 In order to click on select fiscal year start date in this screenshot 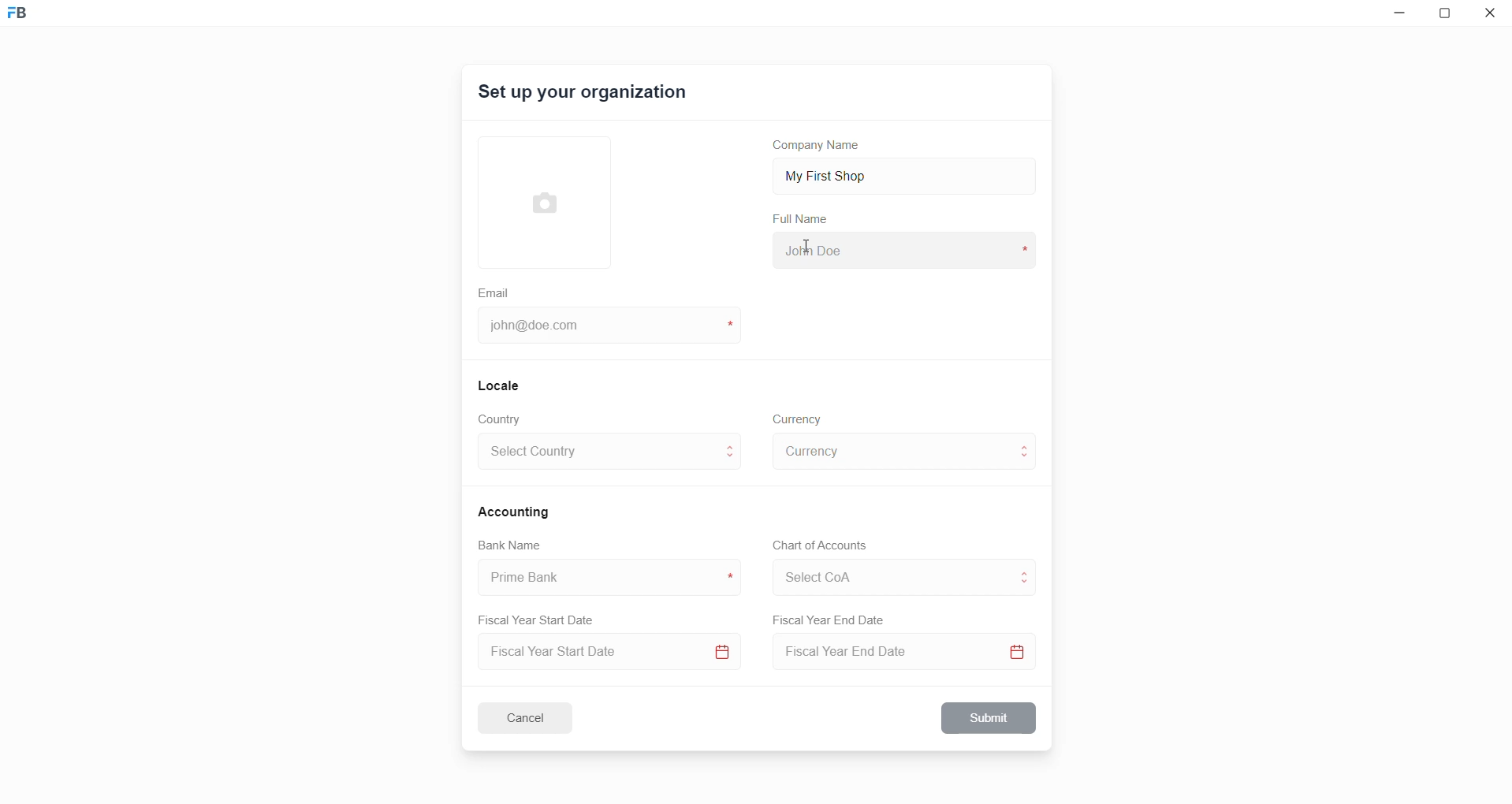, I will do `click(605, 653)`.